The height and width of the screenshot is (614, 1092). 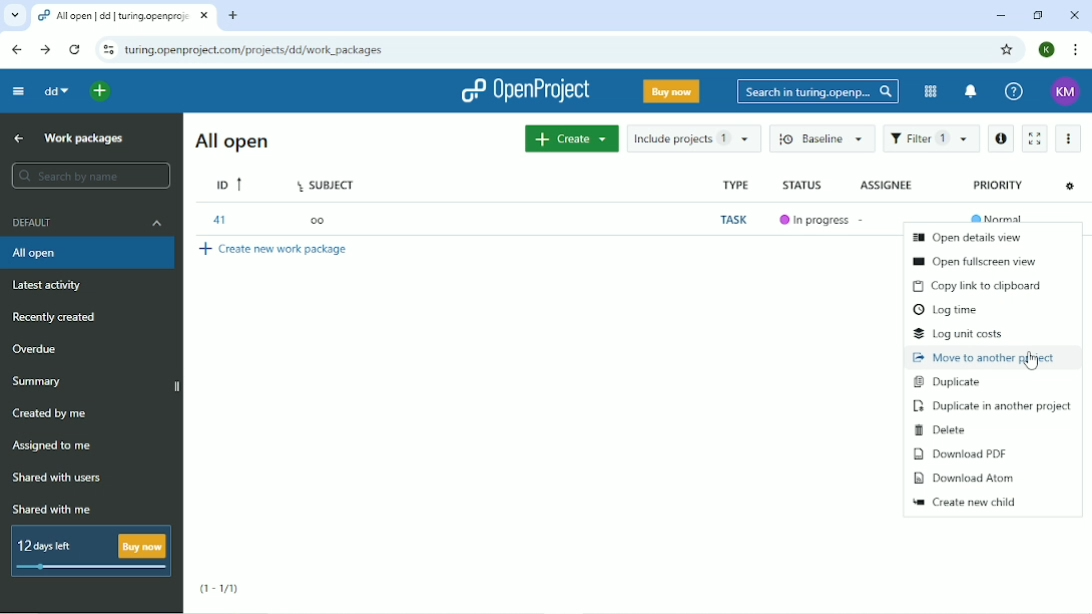 What do you see at coordinates (49, 412) in the screenshot?
I see `Created by me` at bounding box center [49, 412].